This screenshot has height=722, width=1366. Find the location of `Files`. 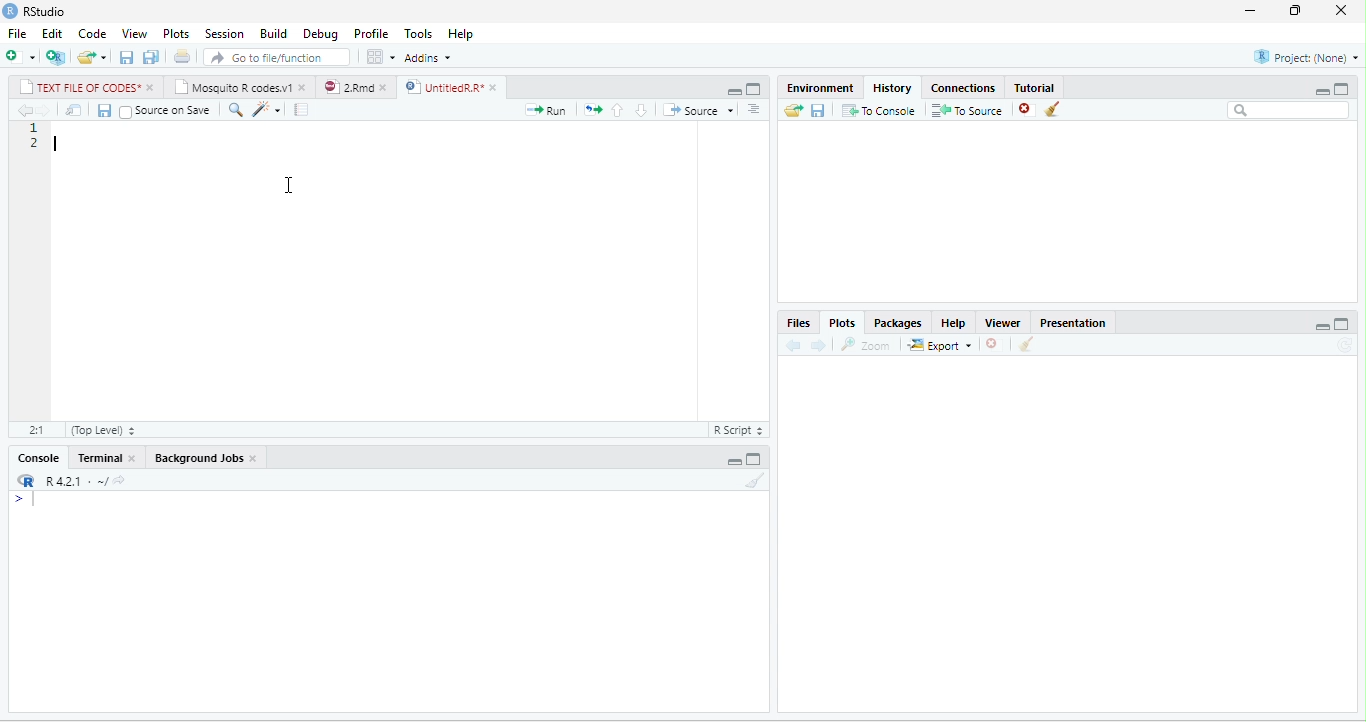

Files is located at coordinates (798, 323).